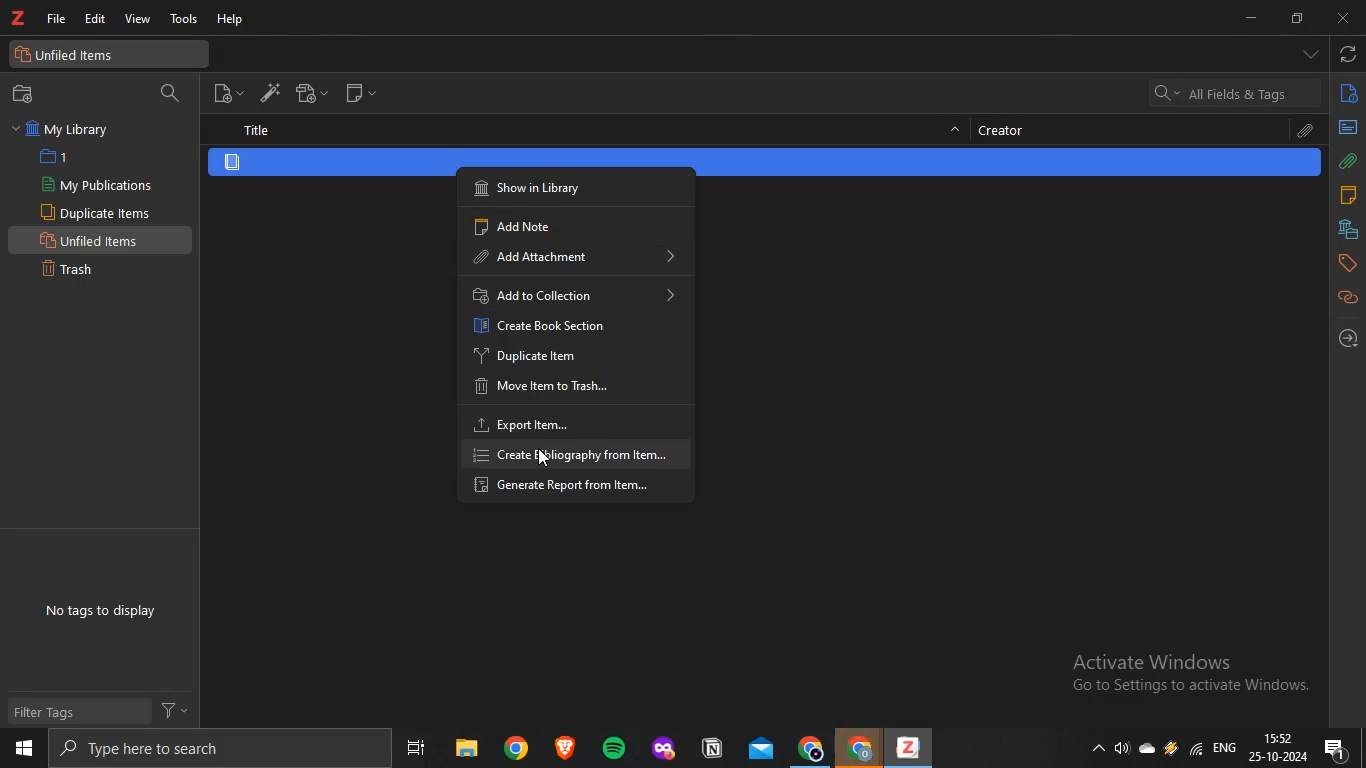  I want to click on ‘Move Item to Trash..., so click(545, 385).